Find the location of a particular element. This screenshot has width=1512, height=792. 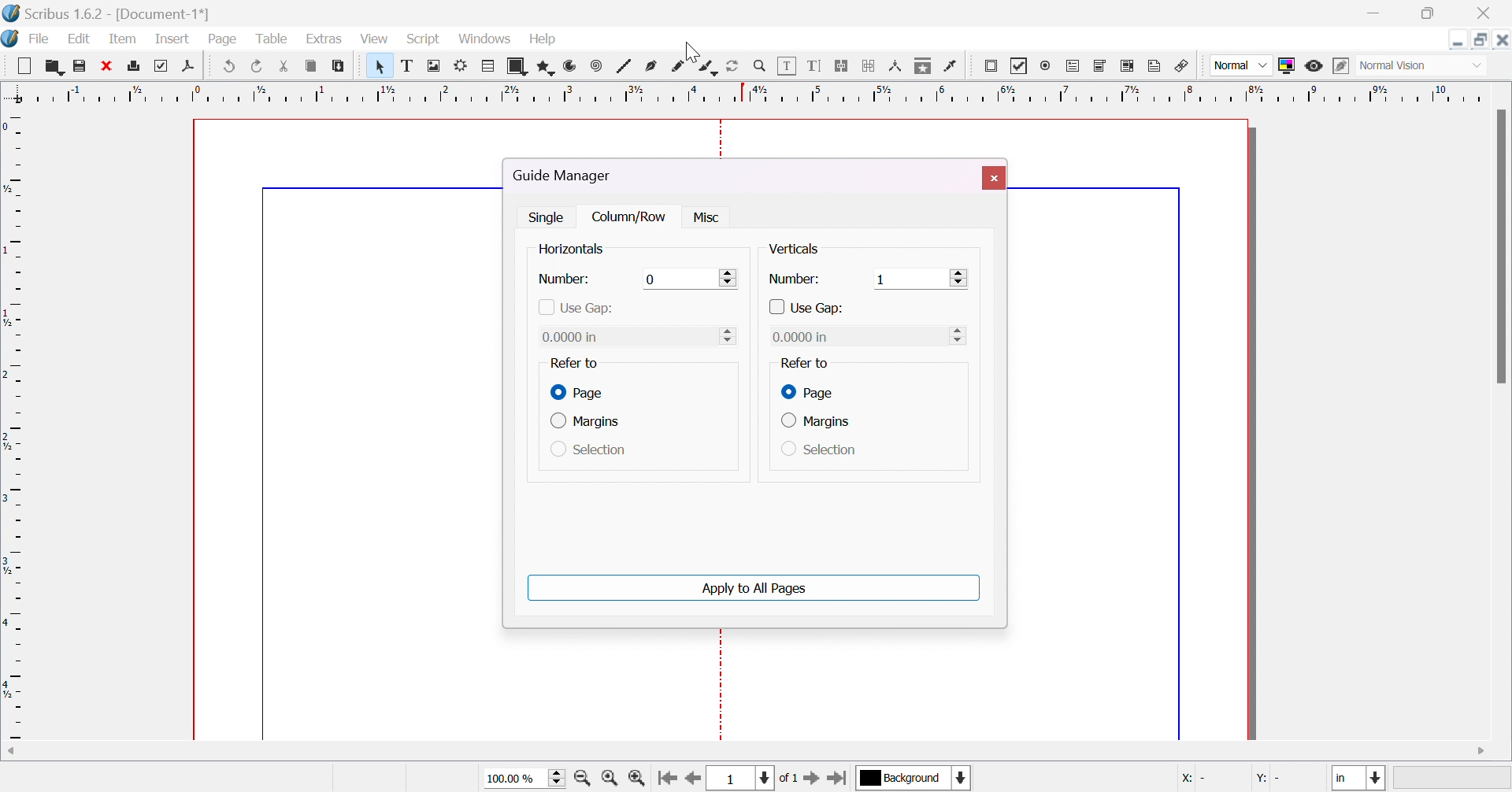

bezier curve is located at coordinates (652, 67).